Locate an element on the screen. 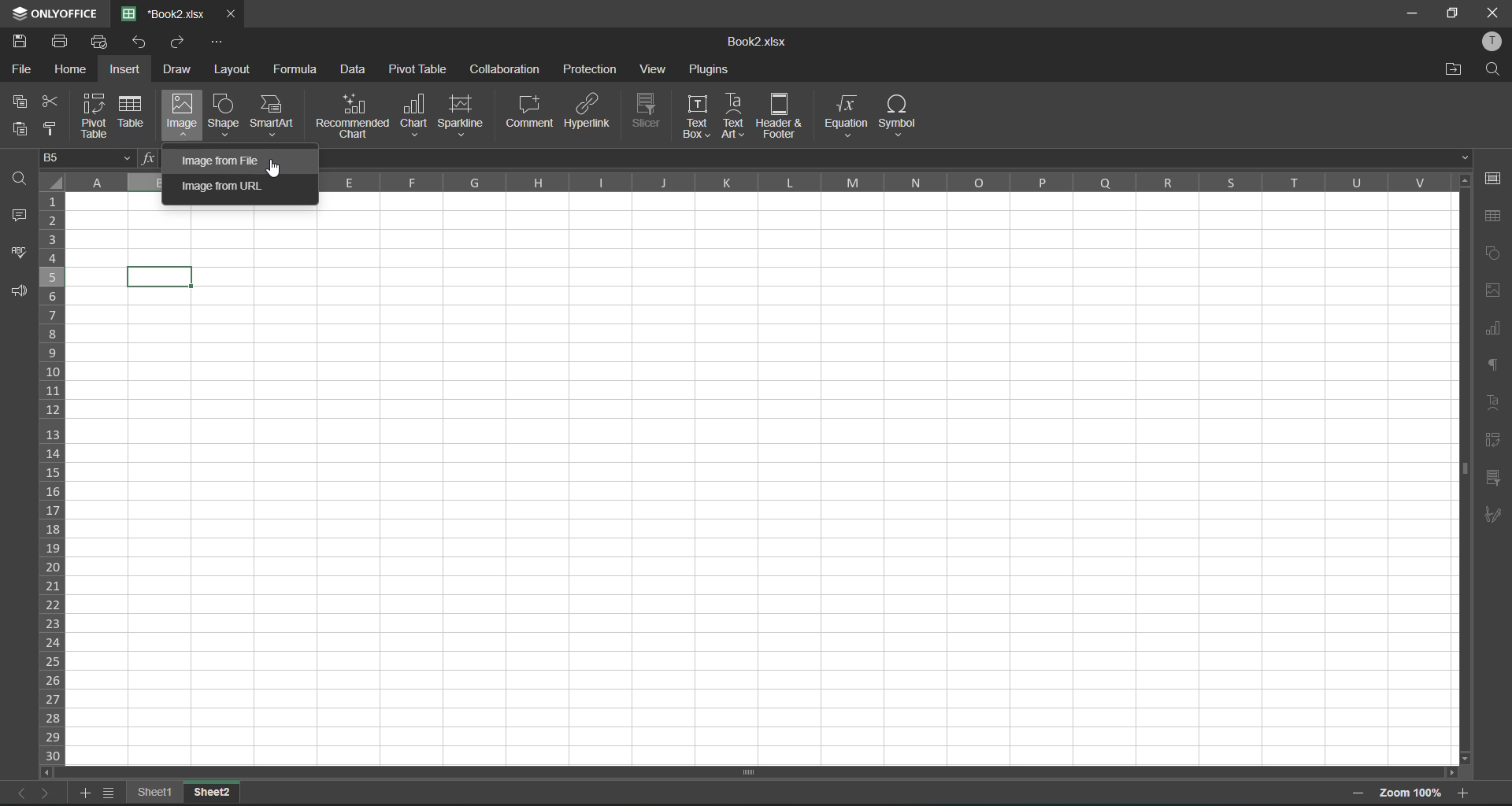 Image resolution: width=1512 pixels, height=806 pixels. spellcheck is located at coordinates (19, 255).